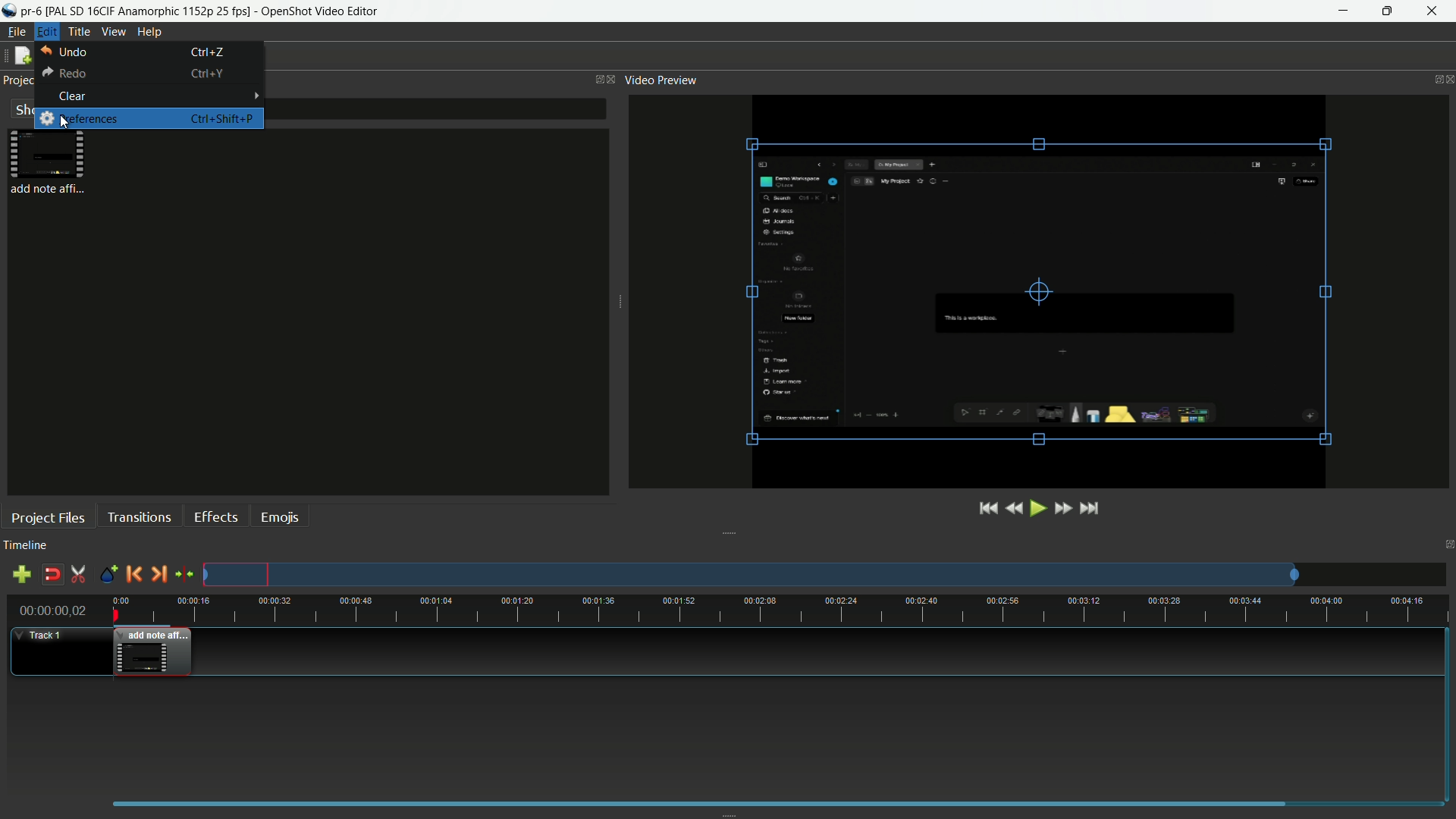 This screenshot has height=819, width=1456. What do you see at coordinates (133, 574) in the screenshot?
I see `previous marker` at bounding box center [133, 574].